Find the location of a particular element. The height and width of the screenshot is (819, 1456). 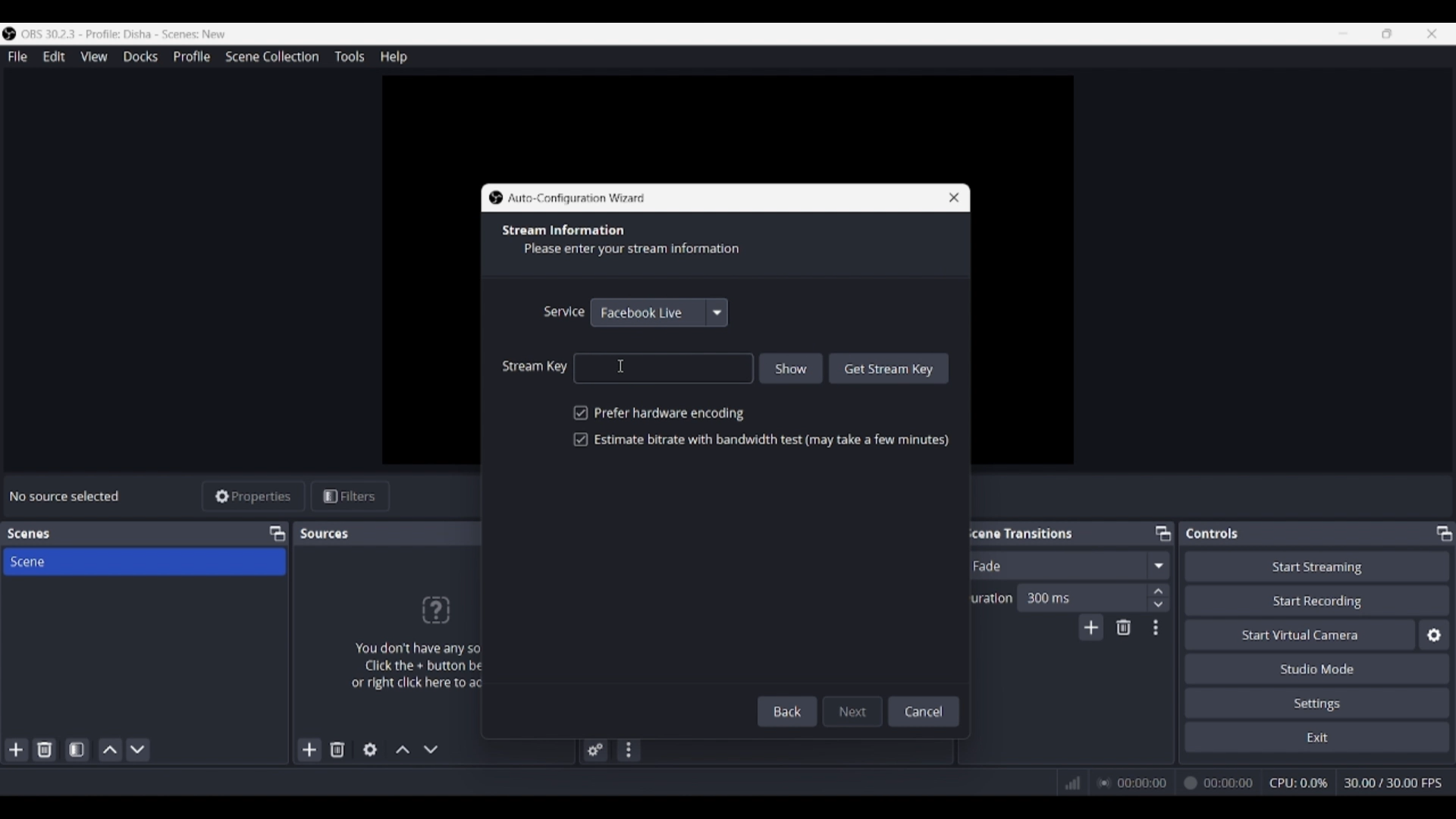

Indicates duration is located at coordinates (987, 598).